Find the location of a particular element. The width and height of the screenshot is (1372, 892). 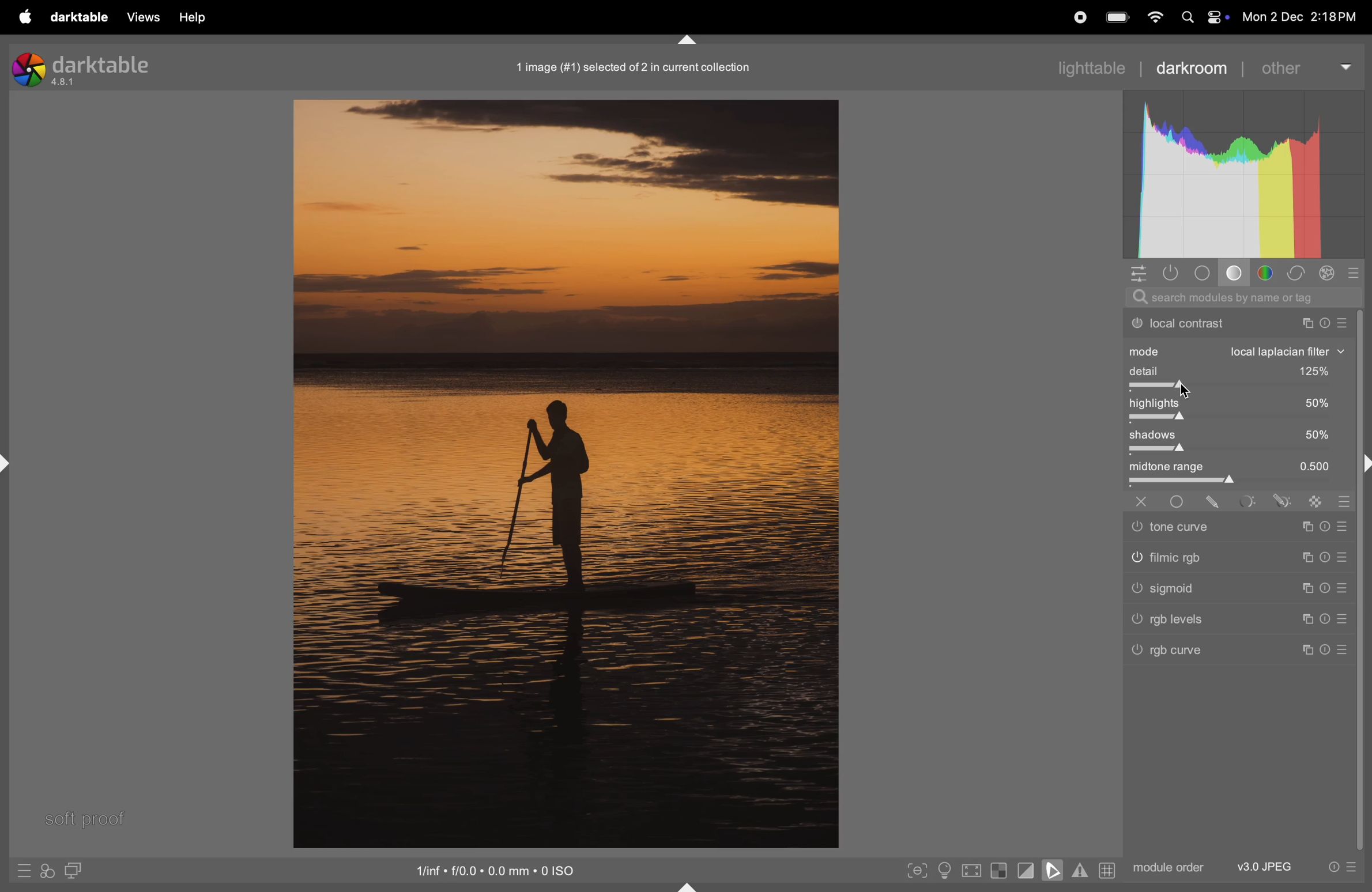

image is located at coordinates (564, 476).